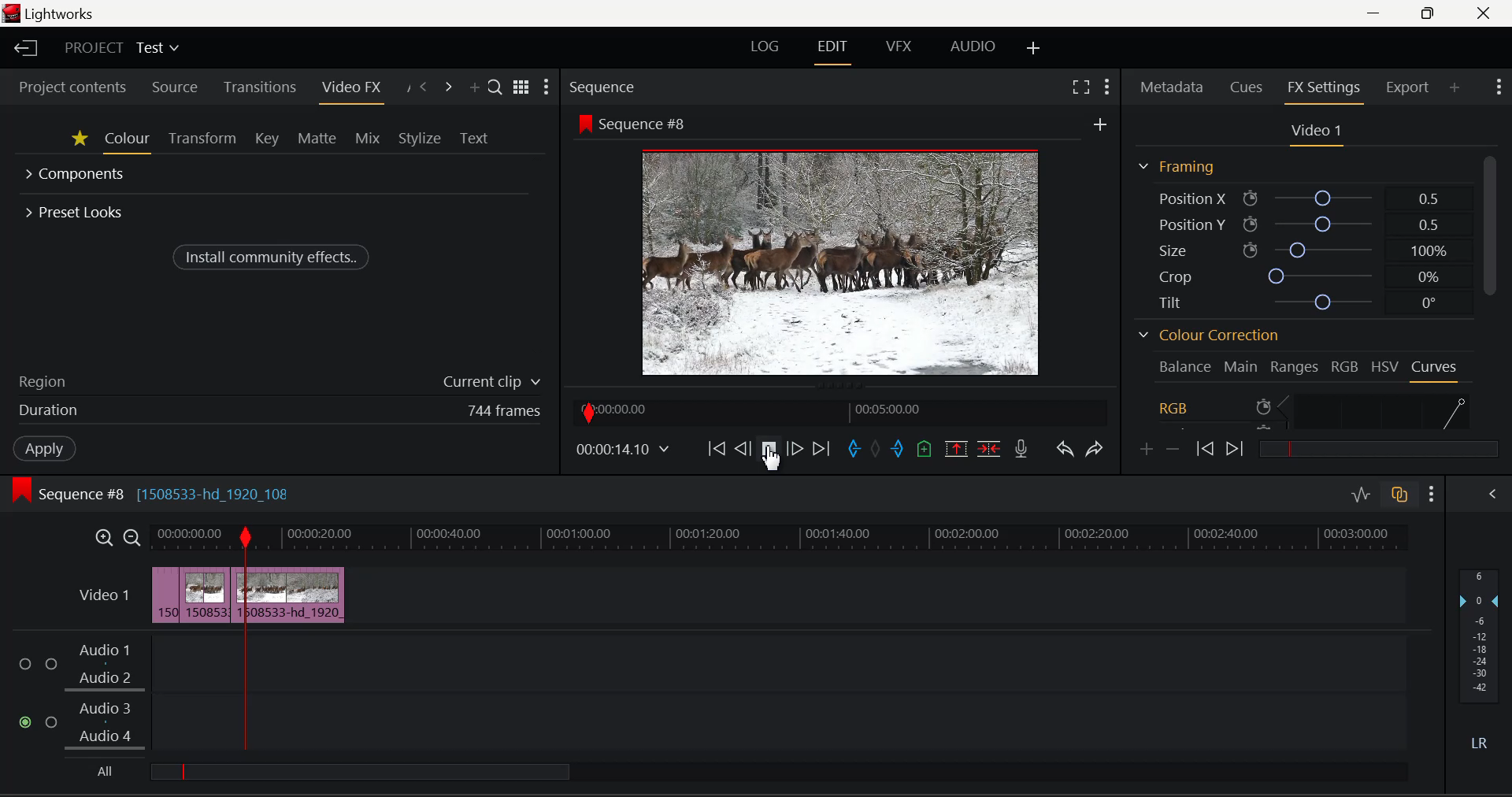 This screenshot has width=1512, height=797. I want to click on Transform, so click(200, 140).